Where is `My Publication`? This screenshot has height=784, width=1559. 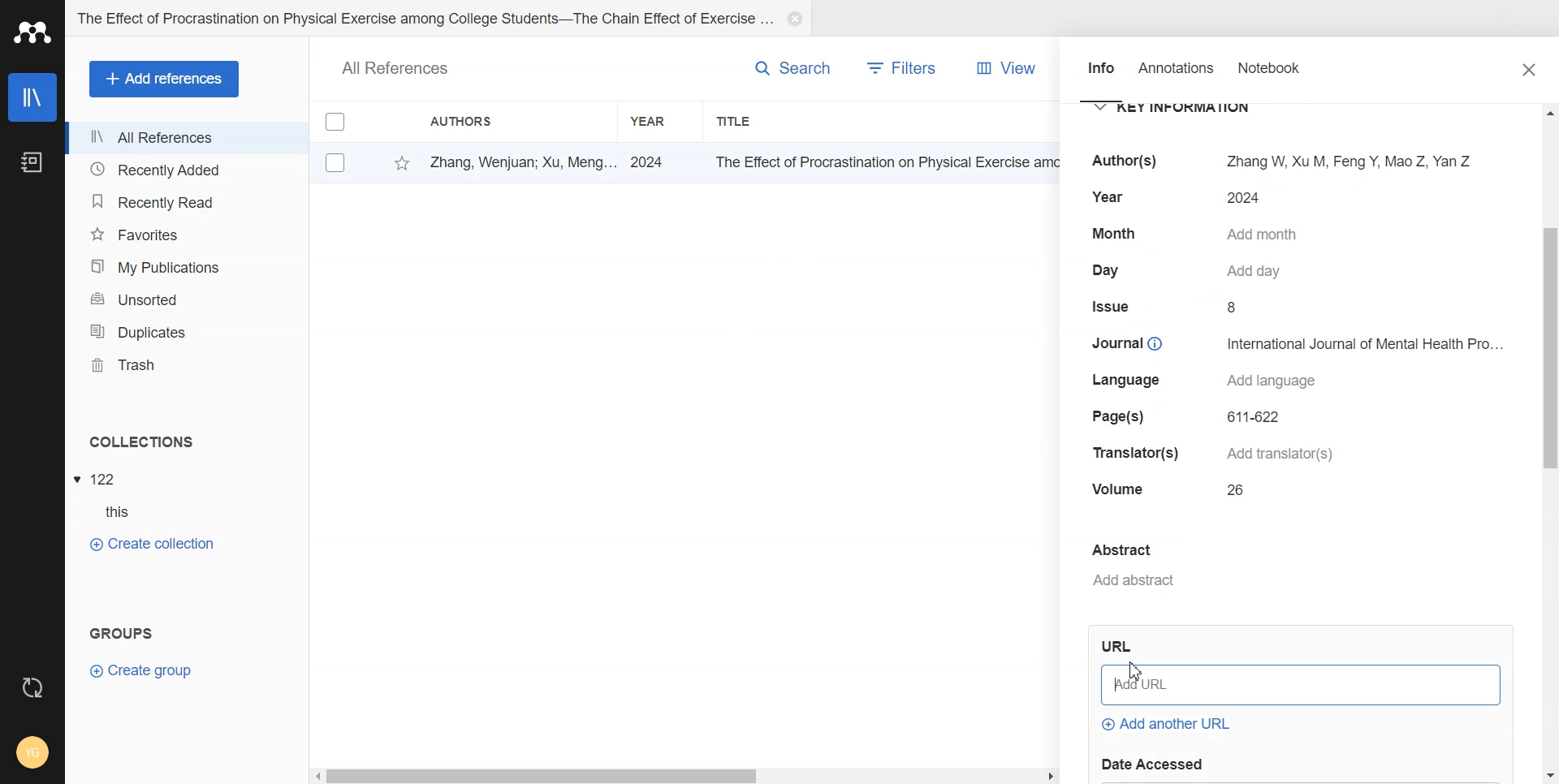 My Publication is located at coordinates (188, 267).